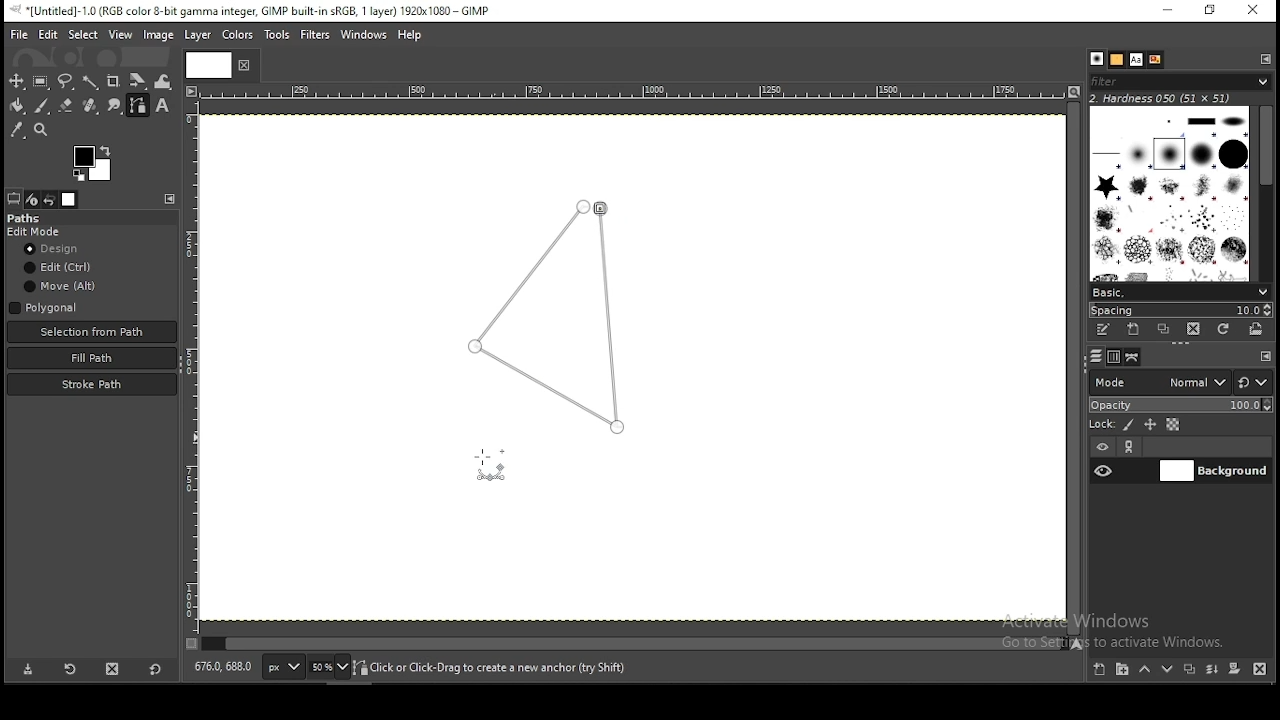  I want to click on lock pixels, so click(1129, 424).